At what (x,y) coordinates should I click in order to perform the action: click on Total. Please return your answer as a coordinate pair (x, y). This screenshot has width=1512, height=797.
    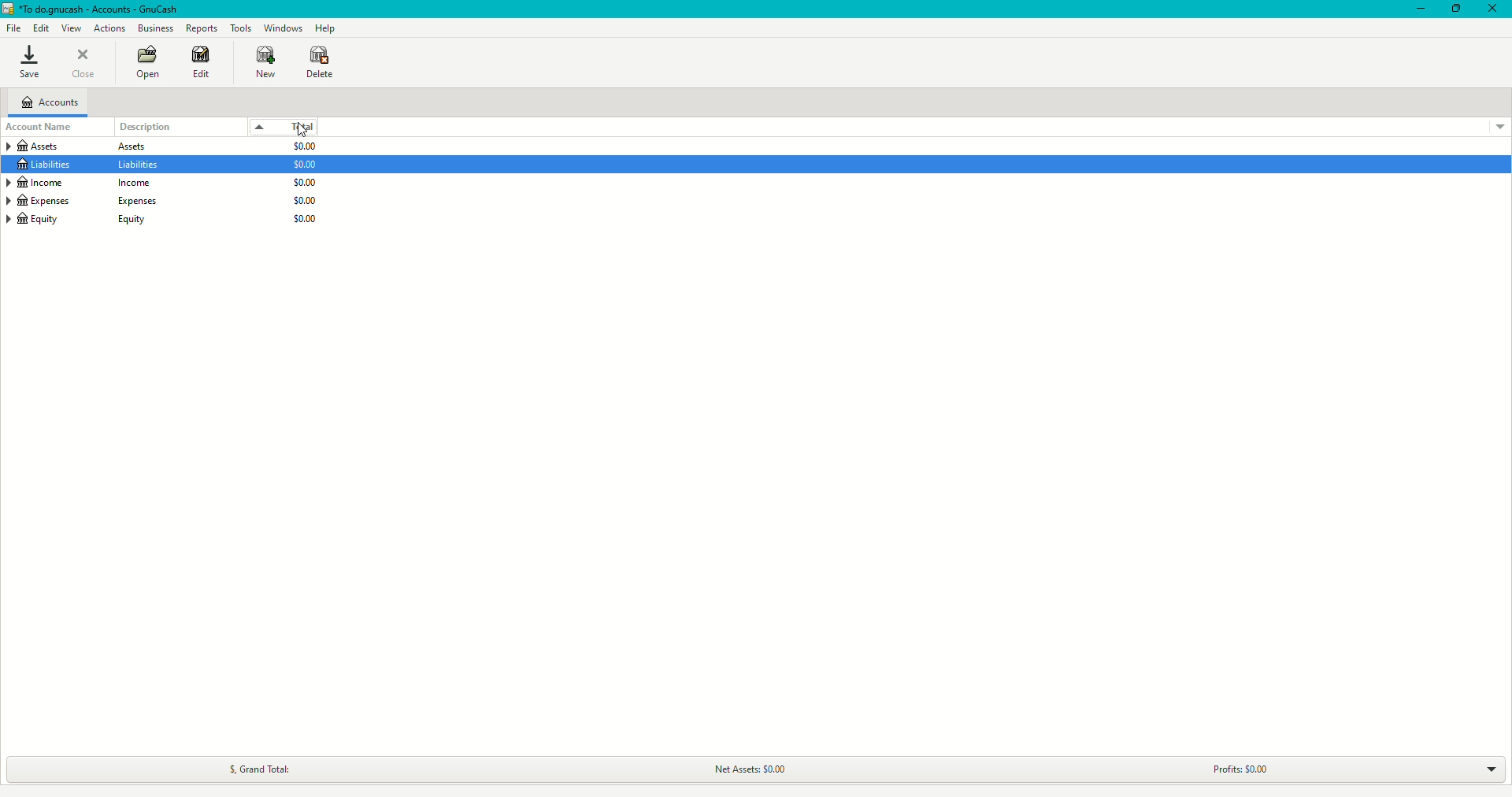
    Looking at the image, I should click on (301, 125).